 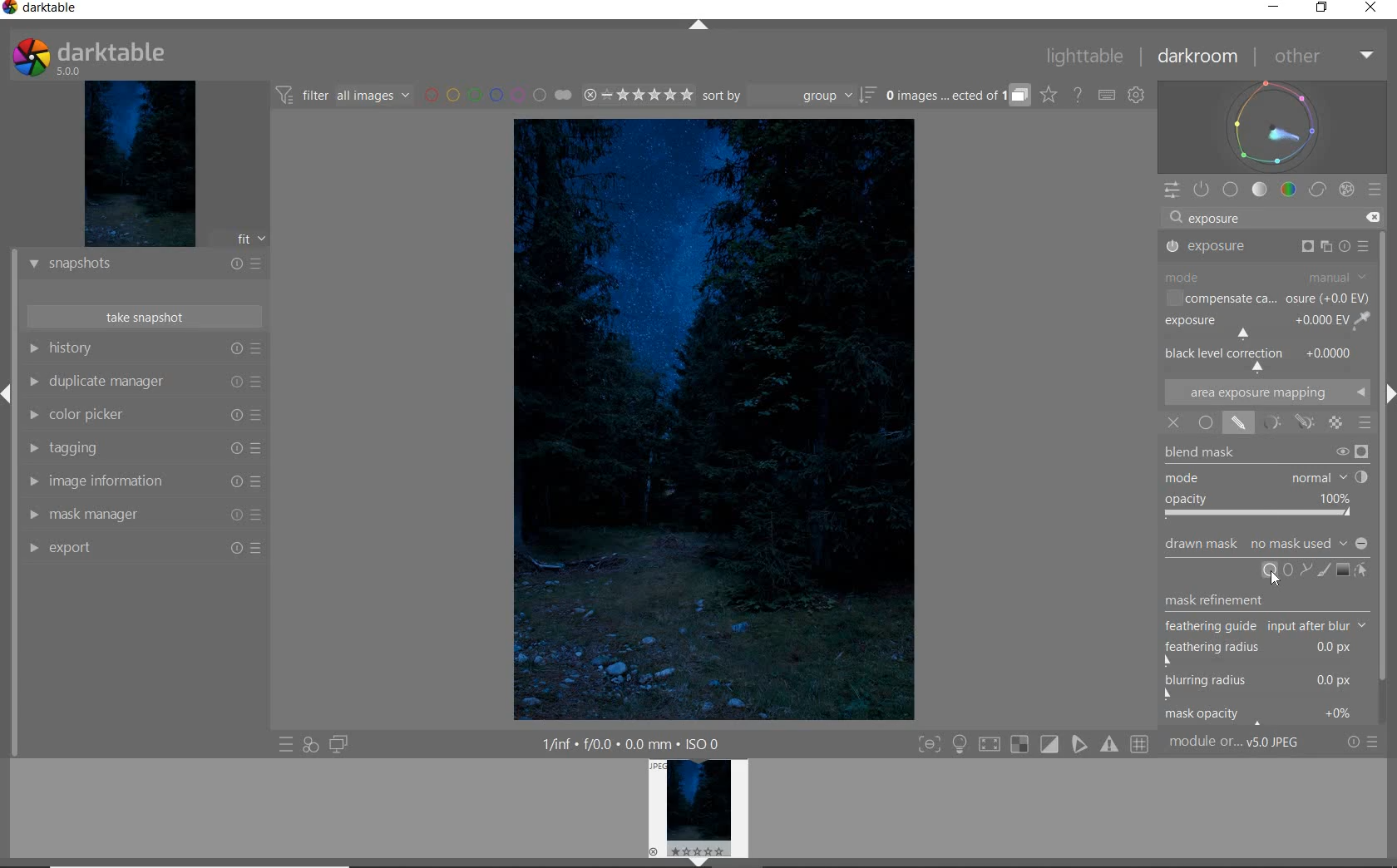 What do you see at coordinates (1170, 190) in the screenshot?
I see `QUICK ACCESS PANEL` at bounding box center [1170, 190].